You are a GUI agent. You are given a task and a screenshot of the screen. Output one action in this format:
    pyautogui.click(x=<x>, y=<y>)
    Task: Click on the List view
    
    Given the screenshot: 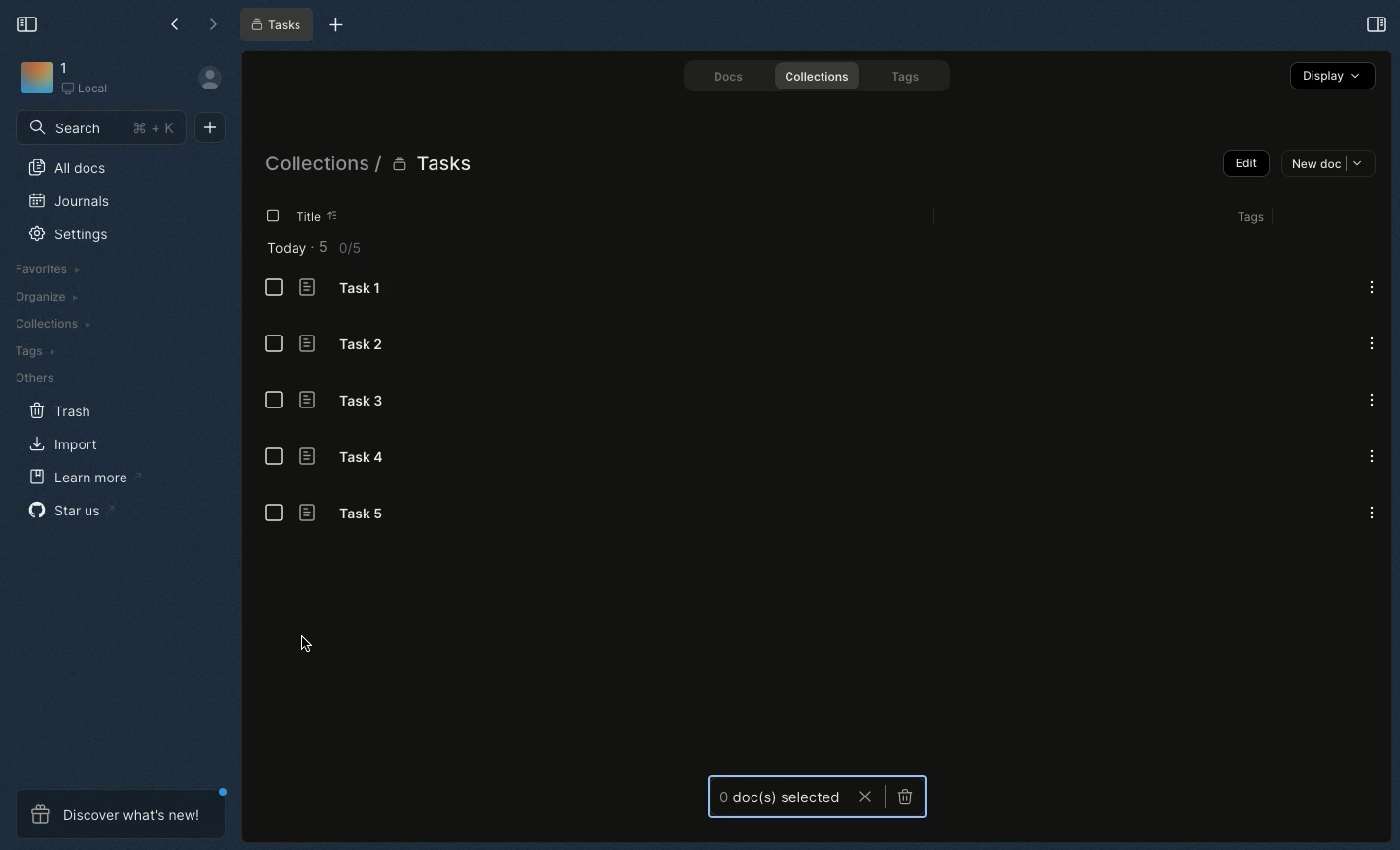 What is the action you would take?
    pyautogui.click(x=273, y=460)
    